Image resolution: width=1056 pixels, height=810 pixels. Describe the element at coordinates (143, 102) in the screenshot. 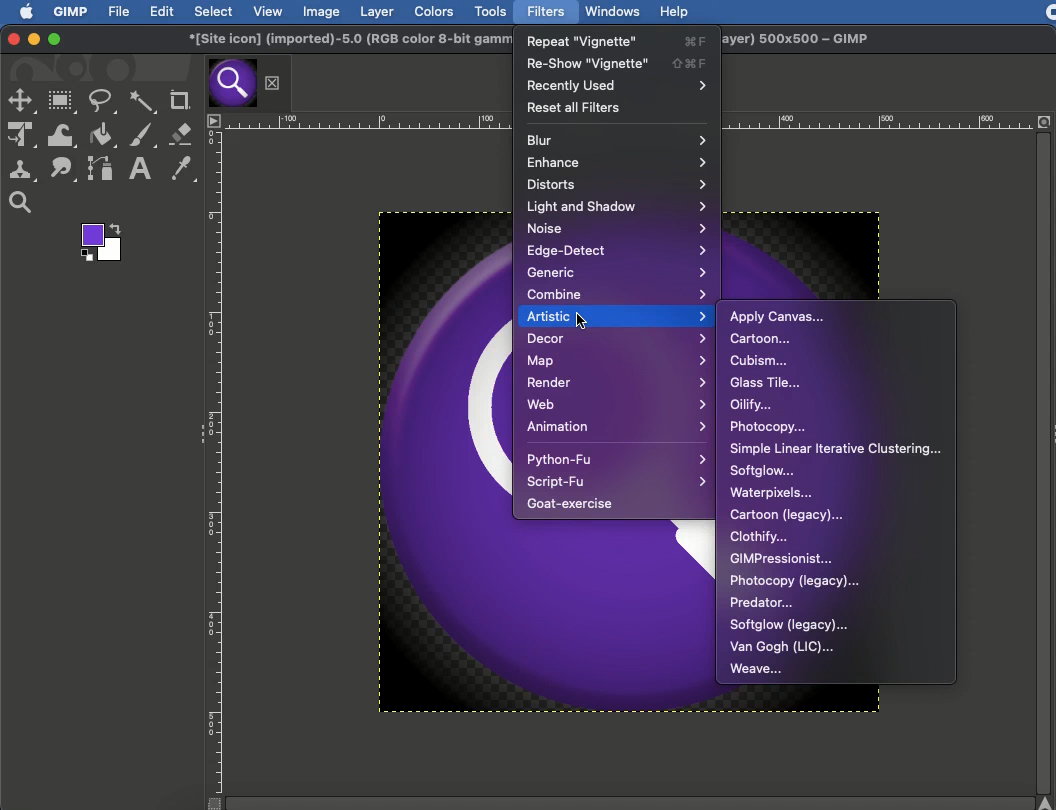

I see `Fuzzy selection` at that location.